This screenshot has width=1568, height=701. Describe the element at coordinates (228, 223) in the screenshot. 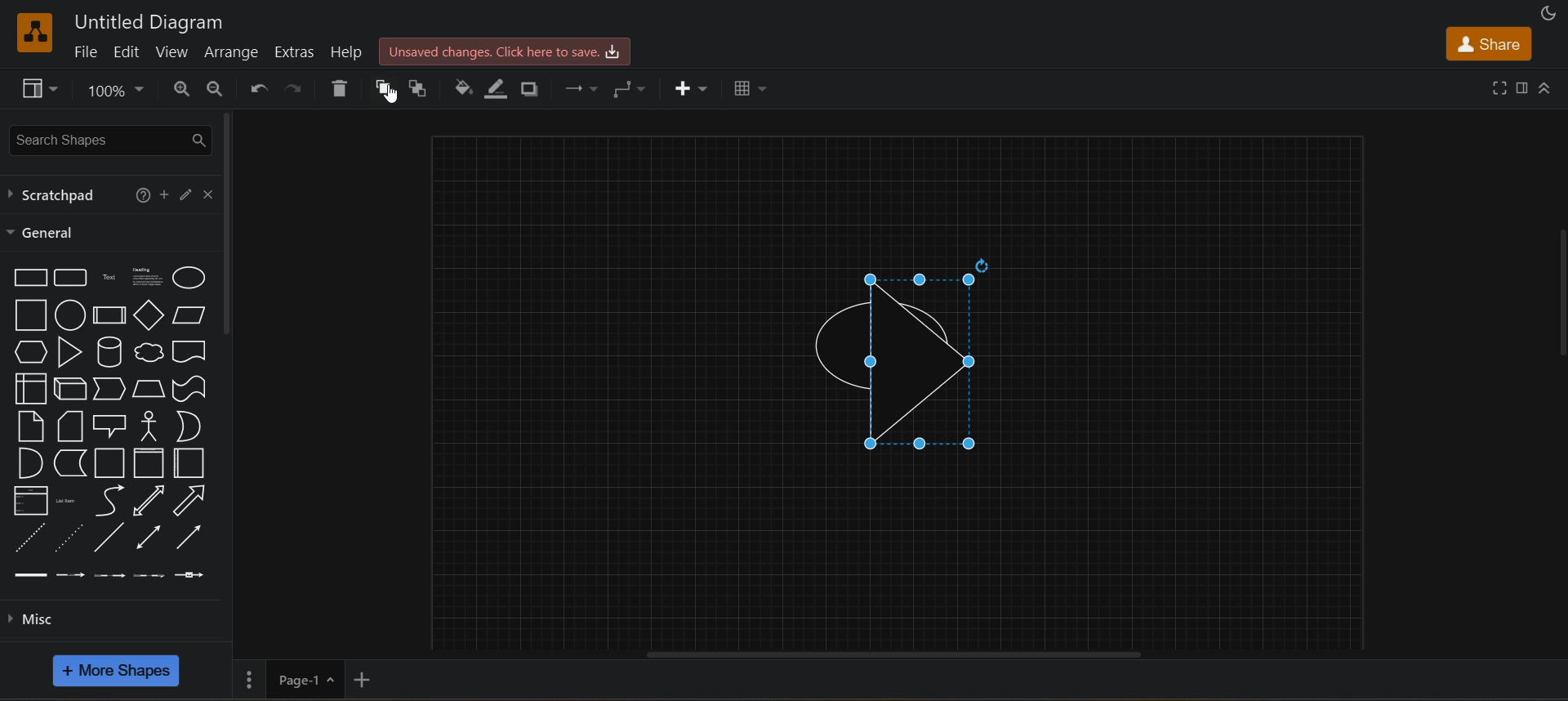

I see `vertical scroll bar` at that location.